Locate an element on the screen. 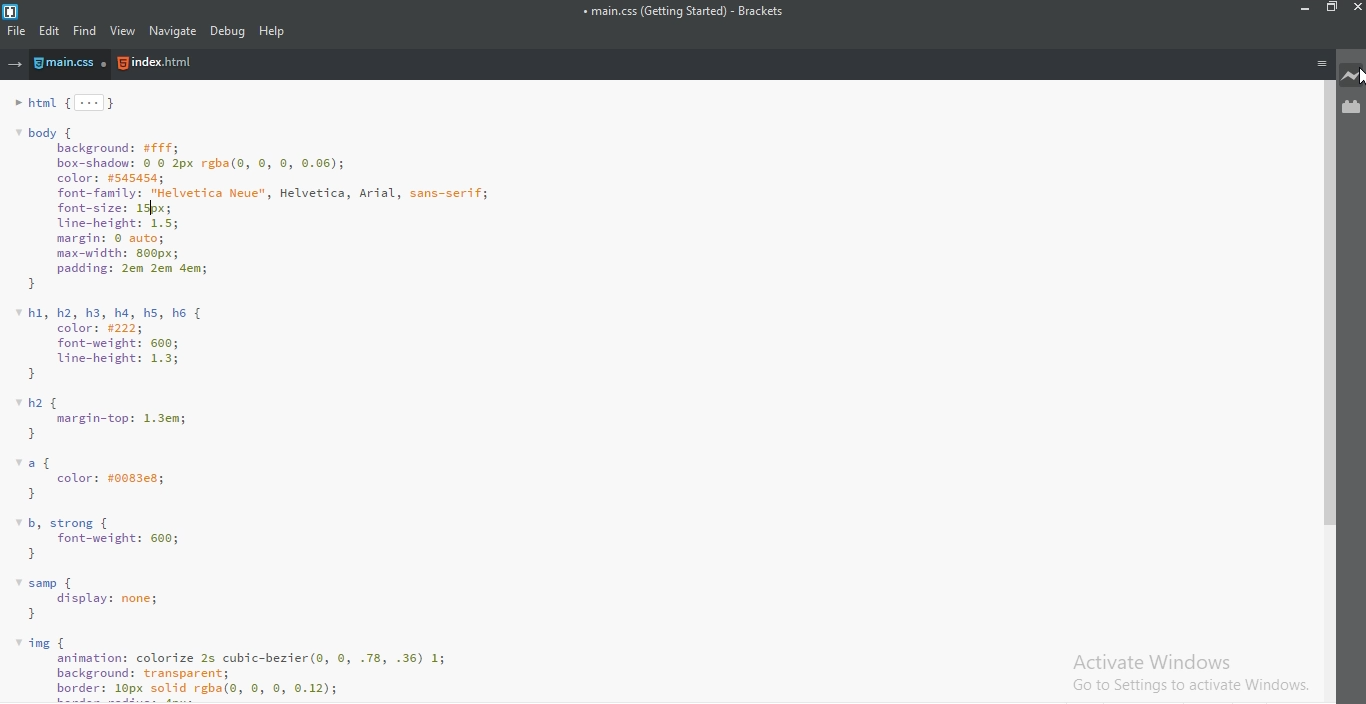  Index.html is located at coordinates (156, 64).